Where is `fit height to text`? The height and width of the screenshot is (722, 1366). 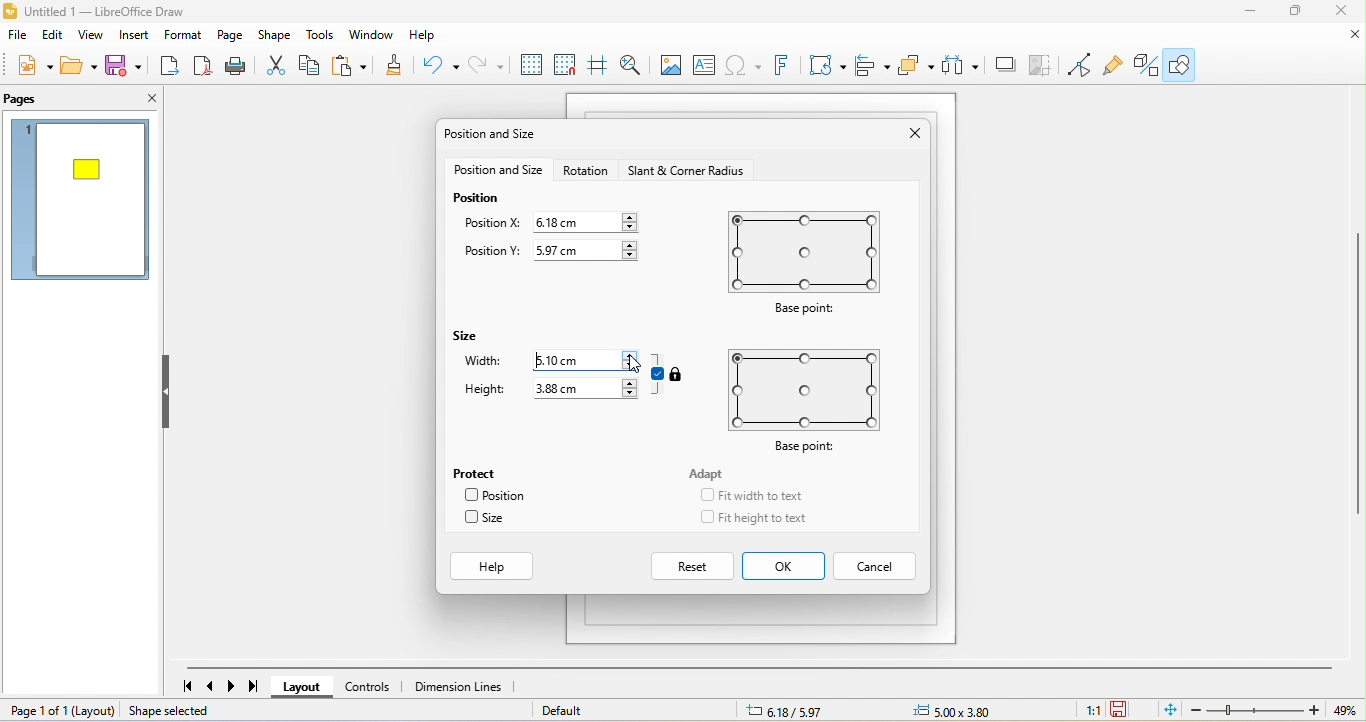
fit height to text is located at coordinates (753, 518).